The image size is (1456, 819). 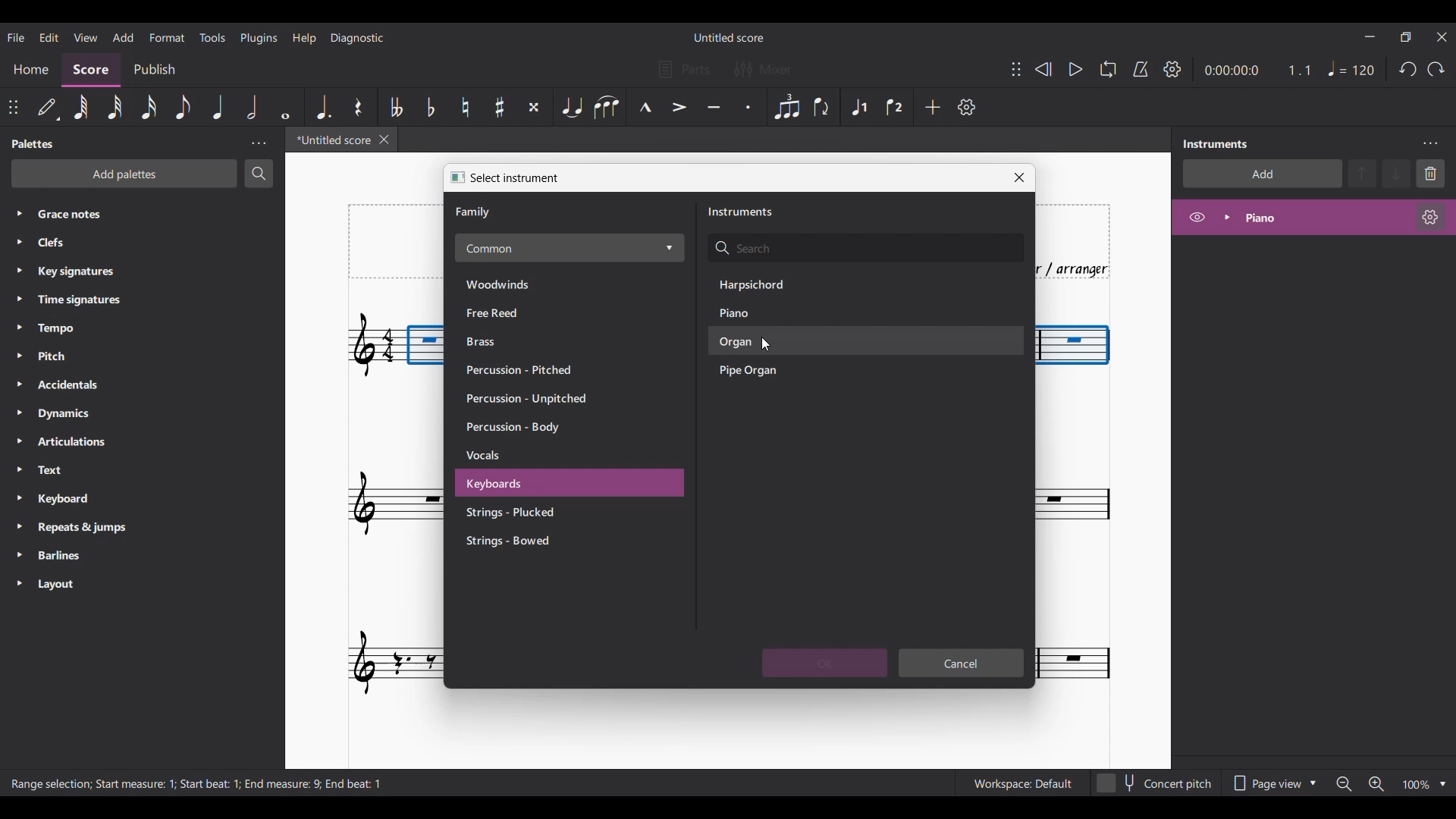 What do you see at coordinates (285, 107) in the screenshot?
I see `Whole note` at bounding box center [285, 107].